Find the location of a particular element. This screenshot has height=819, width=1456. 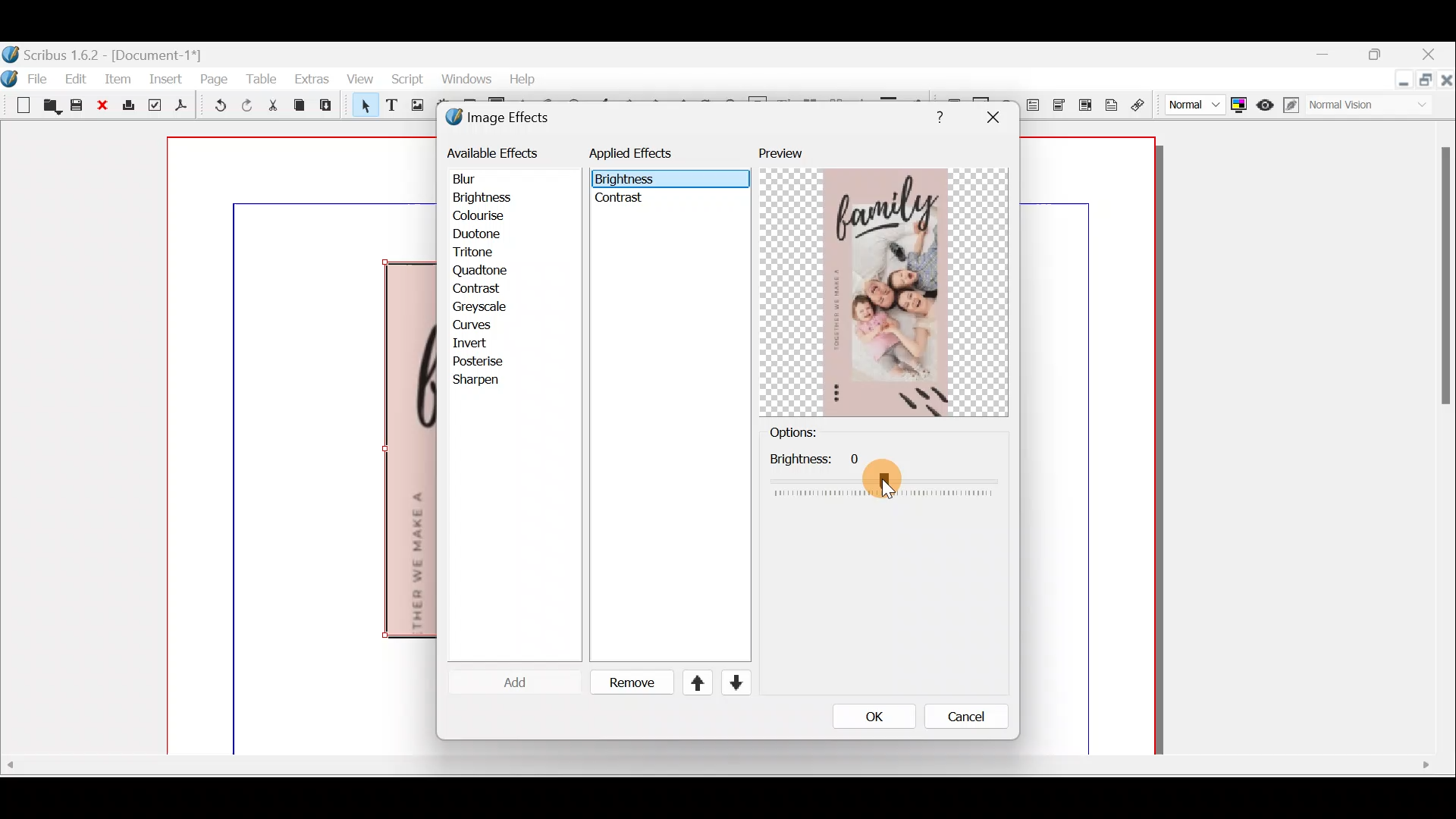

Sharpen is located at coordinates (484, 381).